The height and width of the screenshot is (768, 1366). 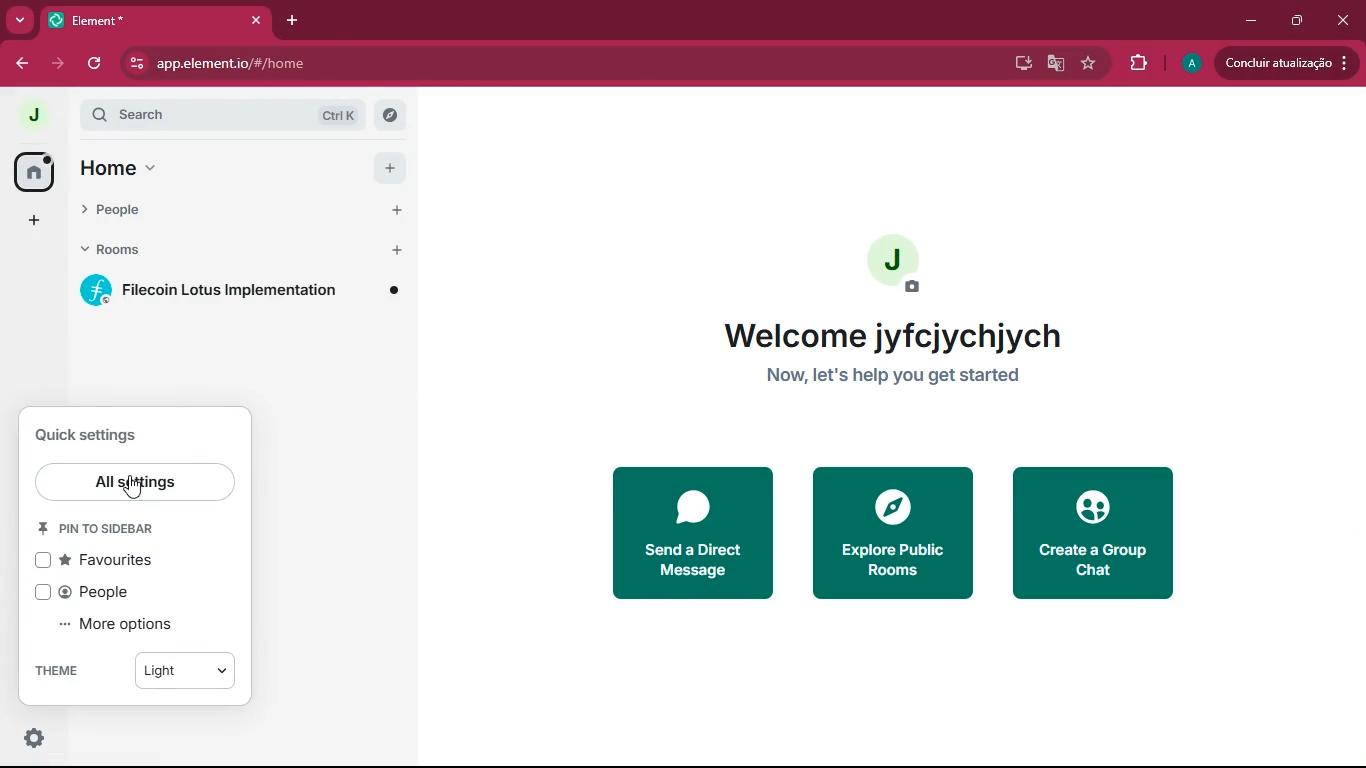 What do you see at coordinates (121, 528) in the screenshot?
I see `pin` at bounding box center [121, 528].